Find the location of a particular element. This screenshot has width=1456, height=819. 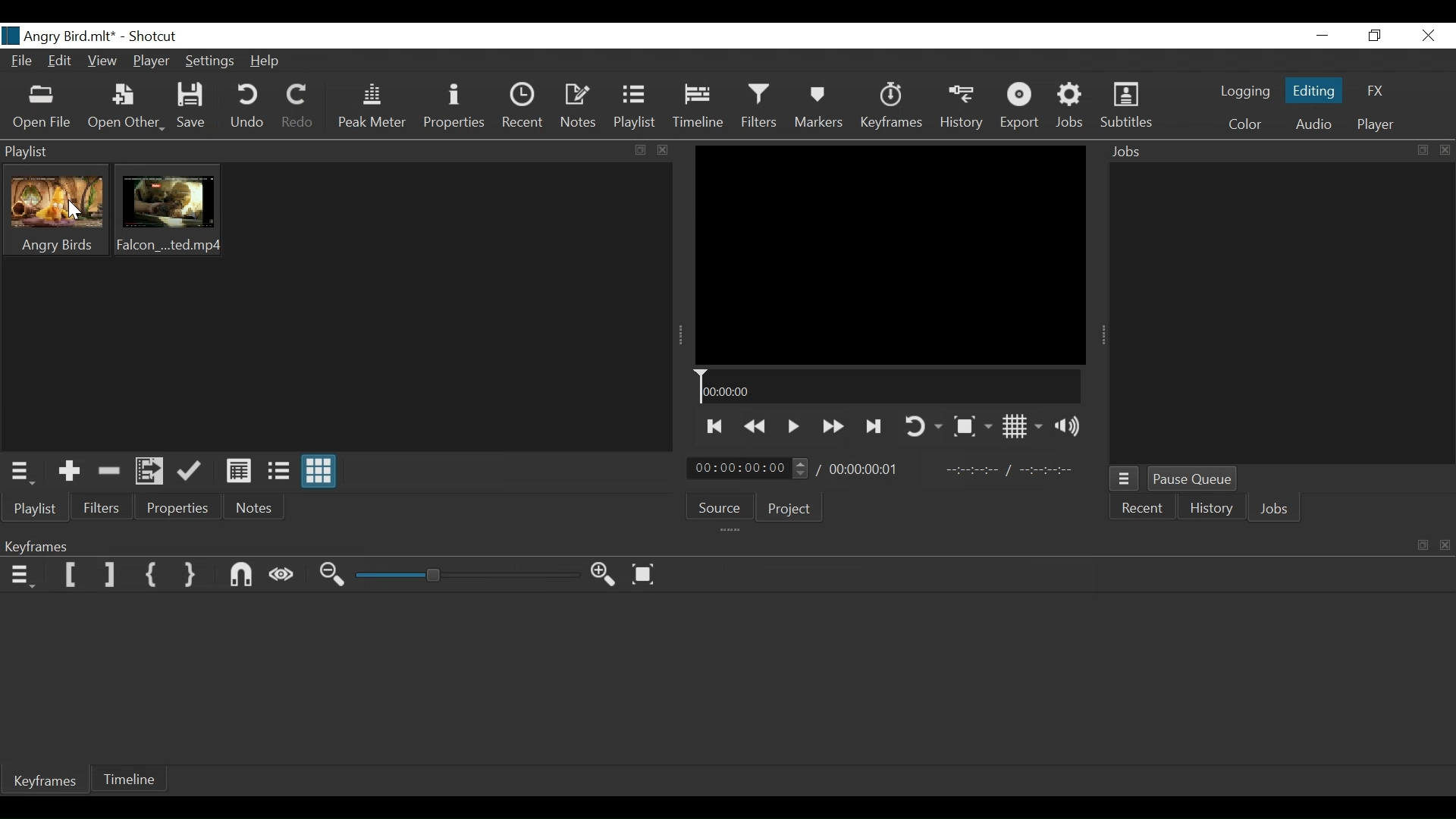

Skip to the previous point is located at coordinates (715, 427).